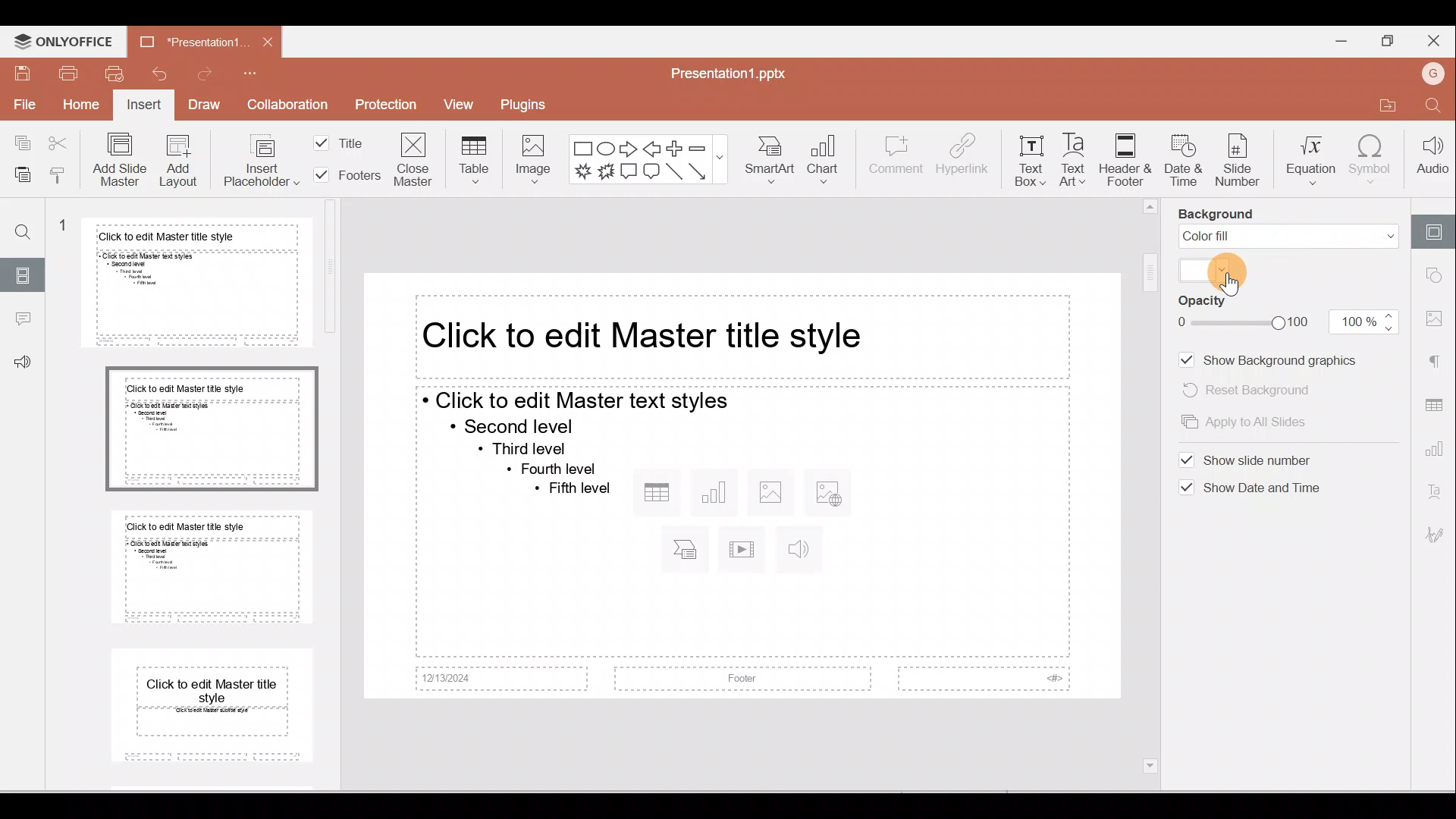 The width and height of the screenshot is (1456, 819). Describe the element at coordinates (1436, 74) in the screenshot. I see `Account name` at that location.